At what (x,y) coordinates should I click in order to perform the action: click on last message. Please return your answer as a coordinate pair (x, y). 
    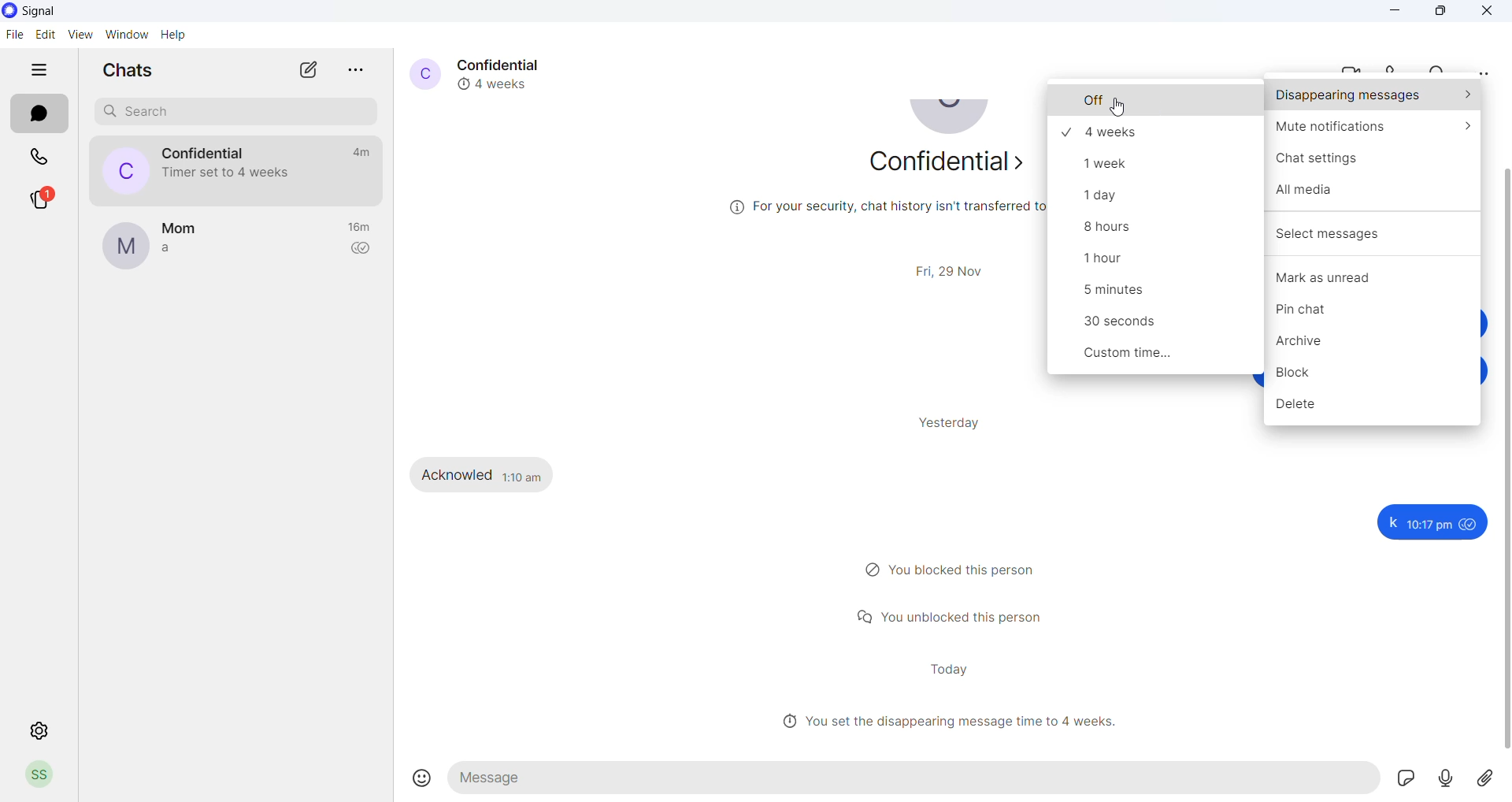
    Looking at the image, I should click on (187, 255).